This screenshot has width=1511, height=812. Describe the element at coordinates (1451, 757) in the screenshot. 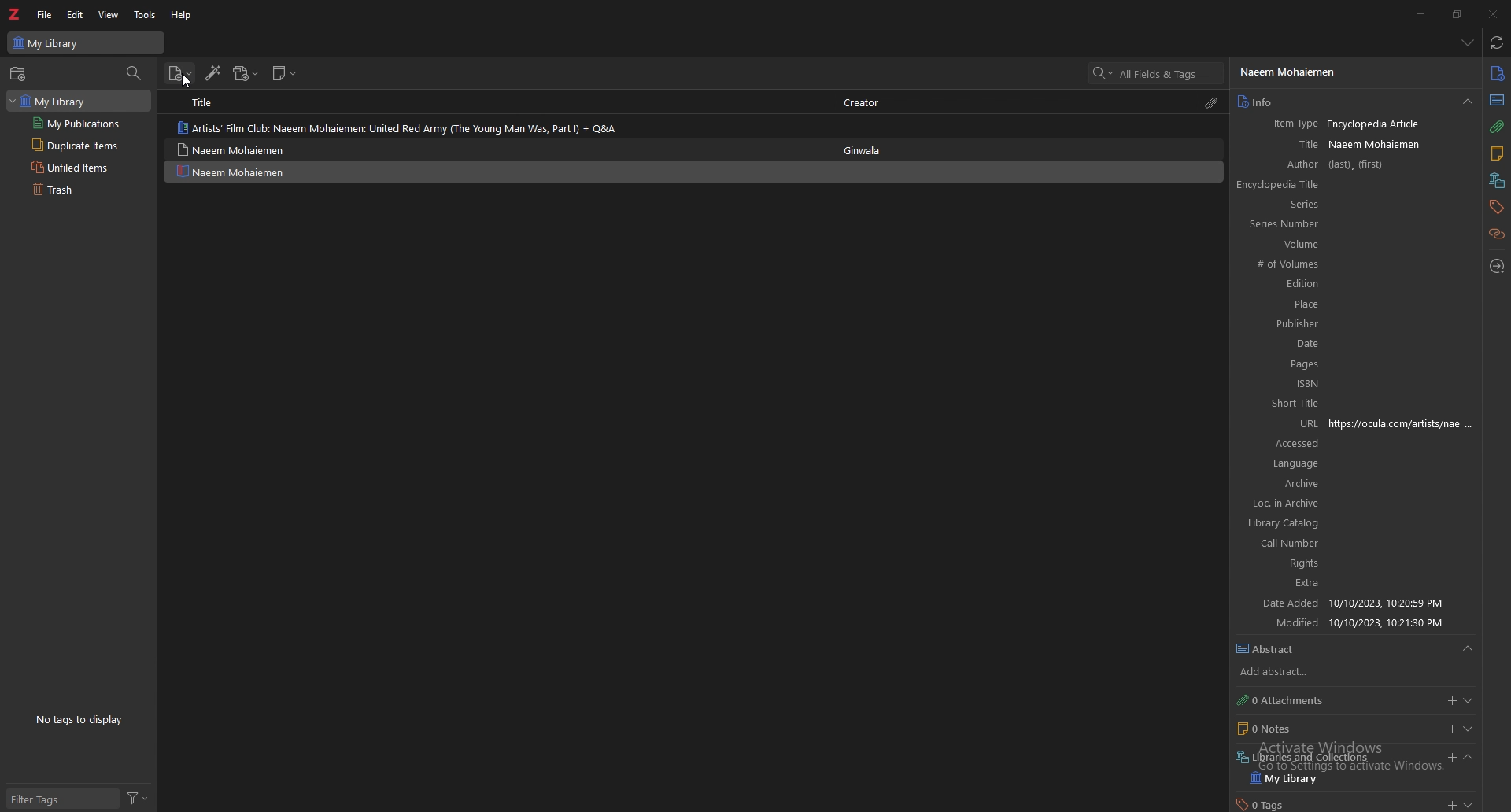

I see `add libraries and collection` at that location.